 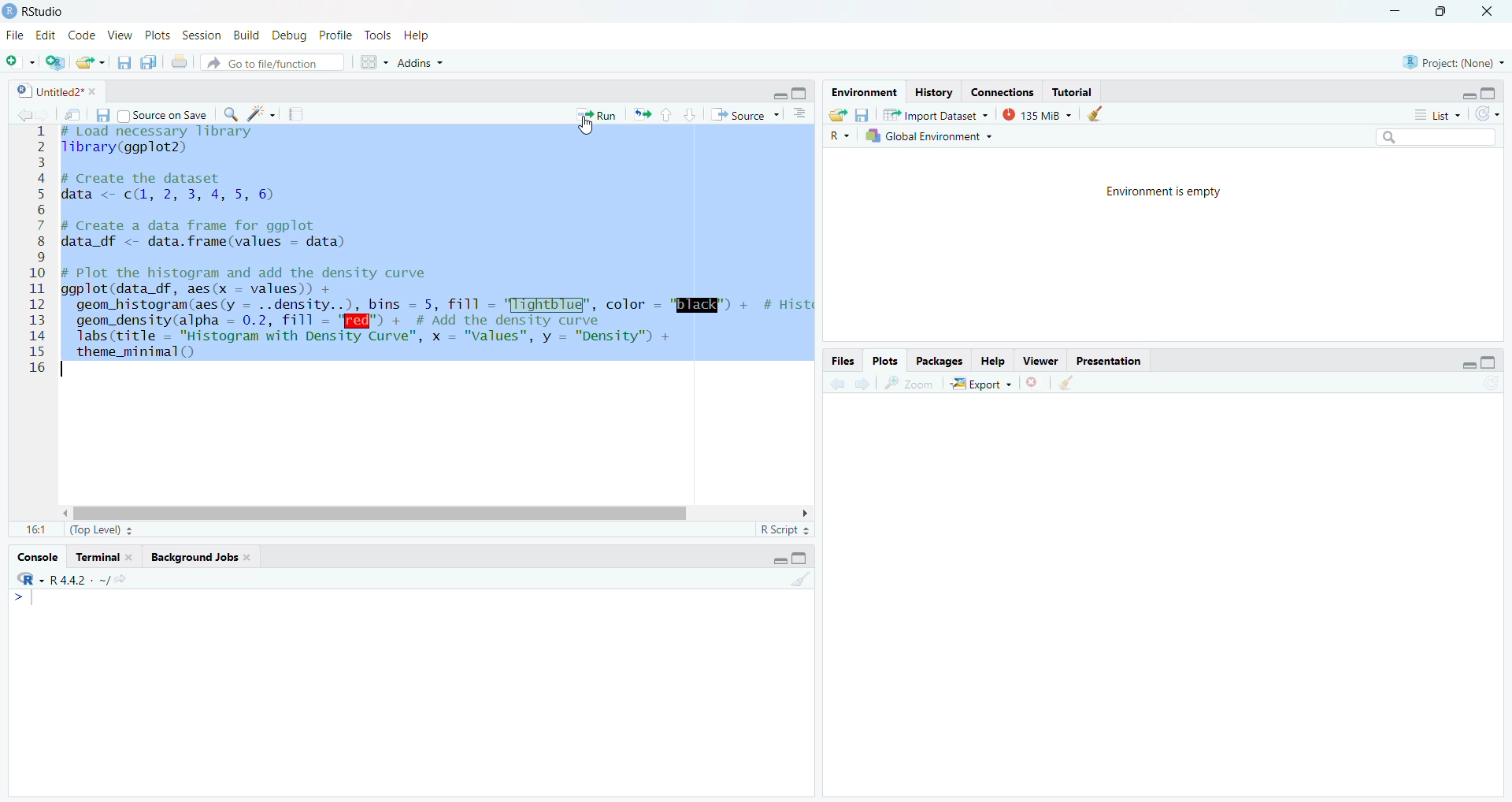 I want to click on Console, so click(x=37, y=555).